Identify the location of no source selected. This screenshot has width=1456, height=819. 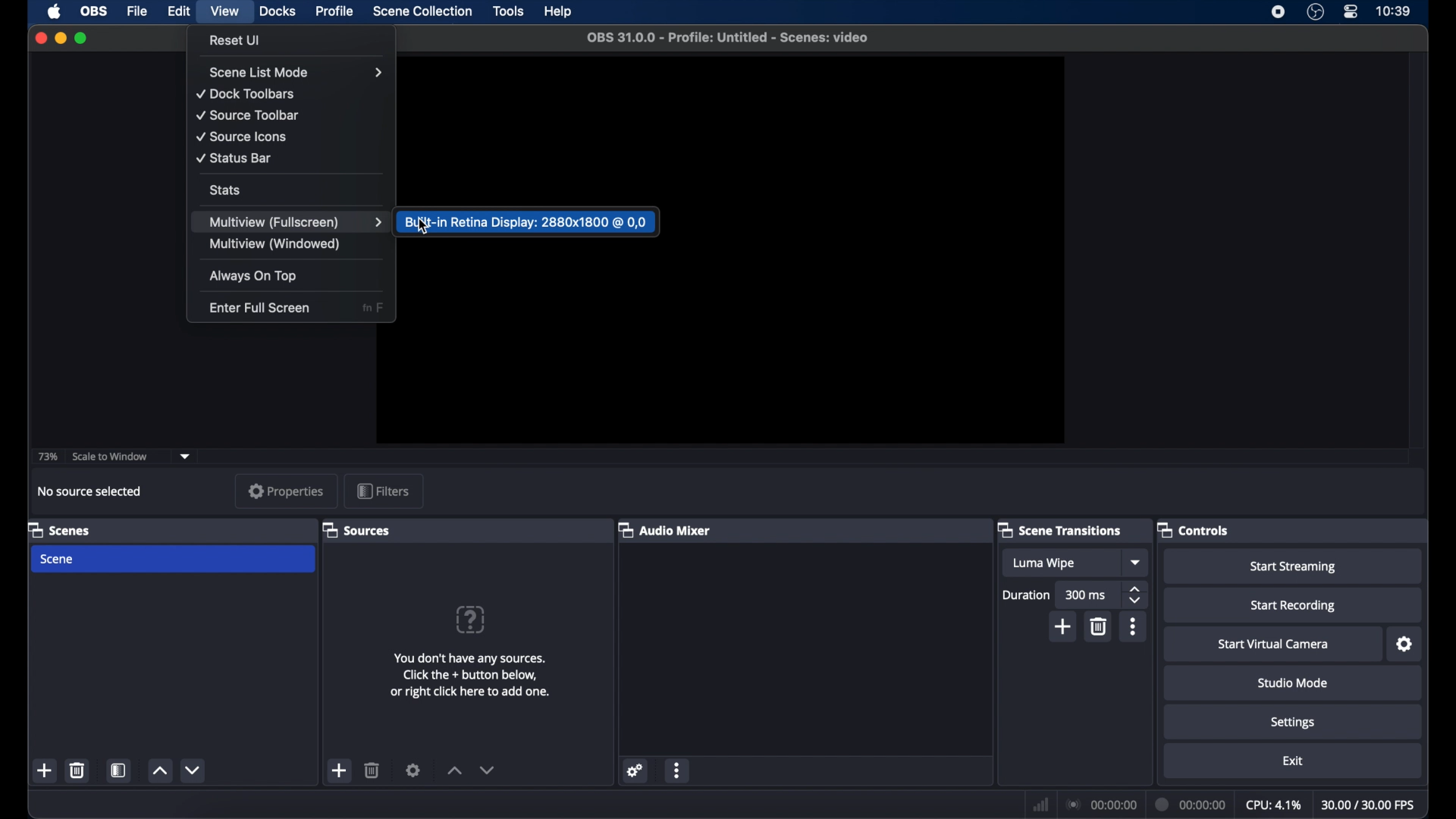
(89, 491).